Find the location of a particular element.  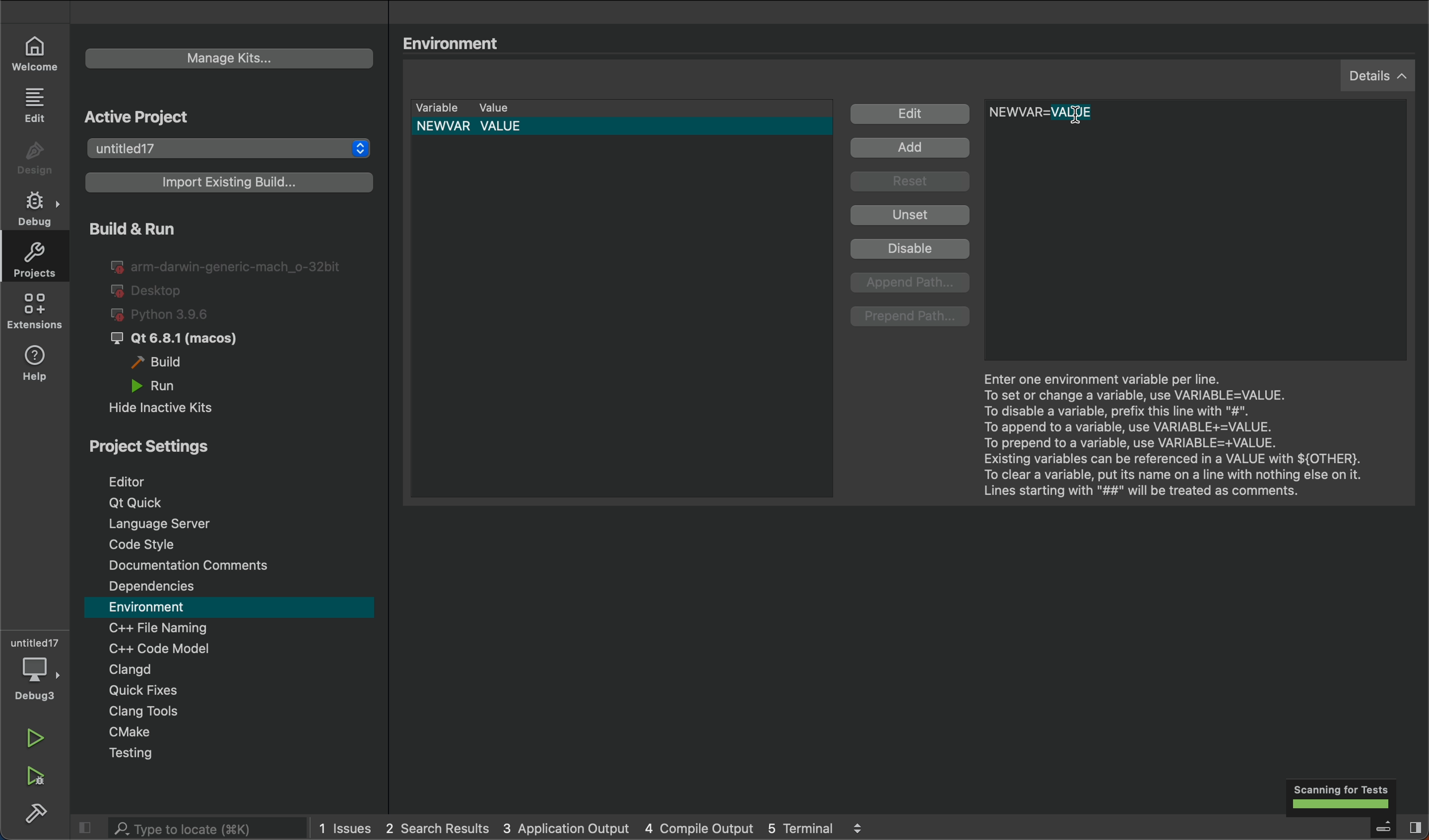

Dependencies  is located at coordinates (233, 587).